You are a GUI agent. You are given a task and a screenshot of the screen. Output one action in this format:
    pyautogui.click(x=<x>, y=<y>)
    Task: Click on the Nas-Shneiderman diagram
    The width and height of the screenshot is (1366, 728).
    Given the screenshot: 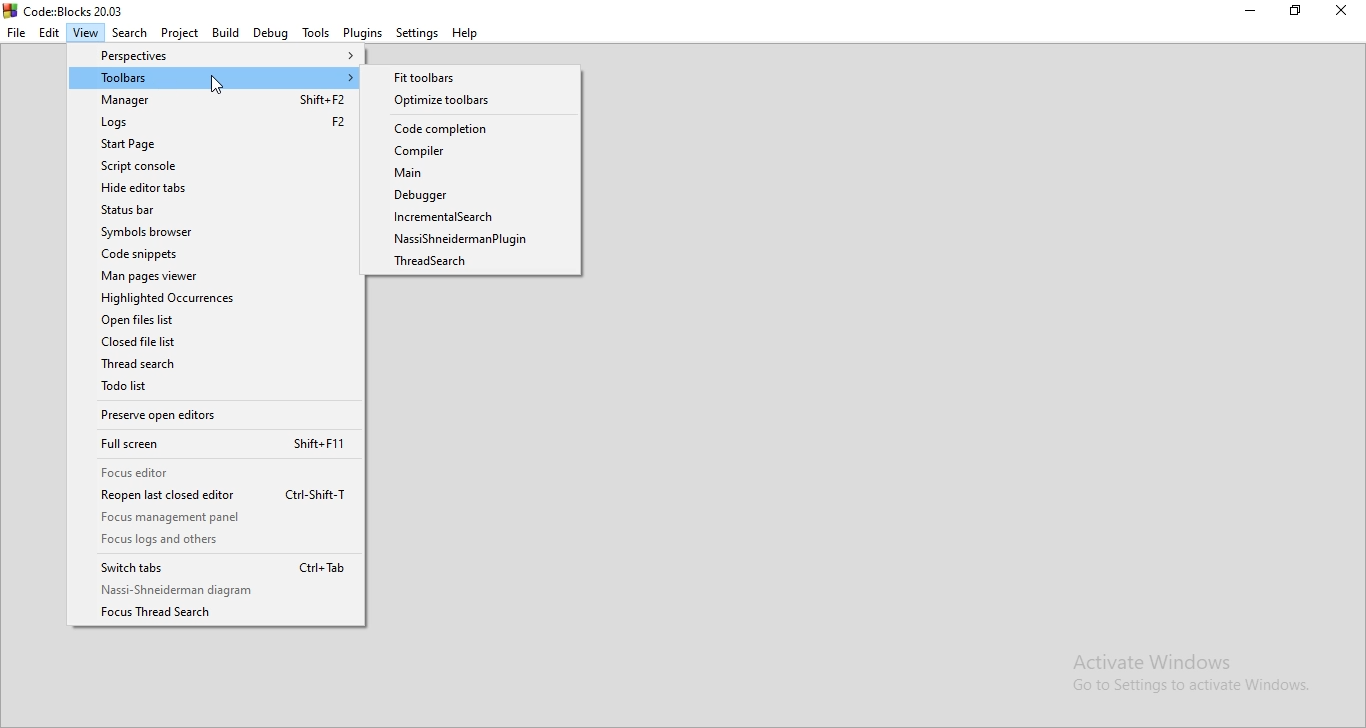 What is the action you would take?
    pyautogui.click(x=215, y=591)
    